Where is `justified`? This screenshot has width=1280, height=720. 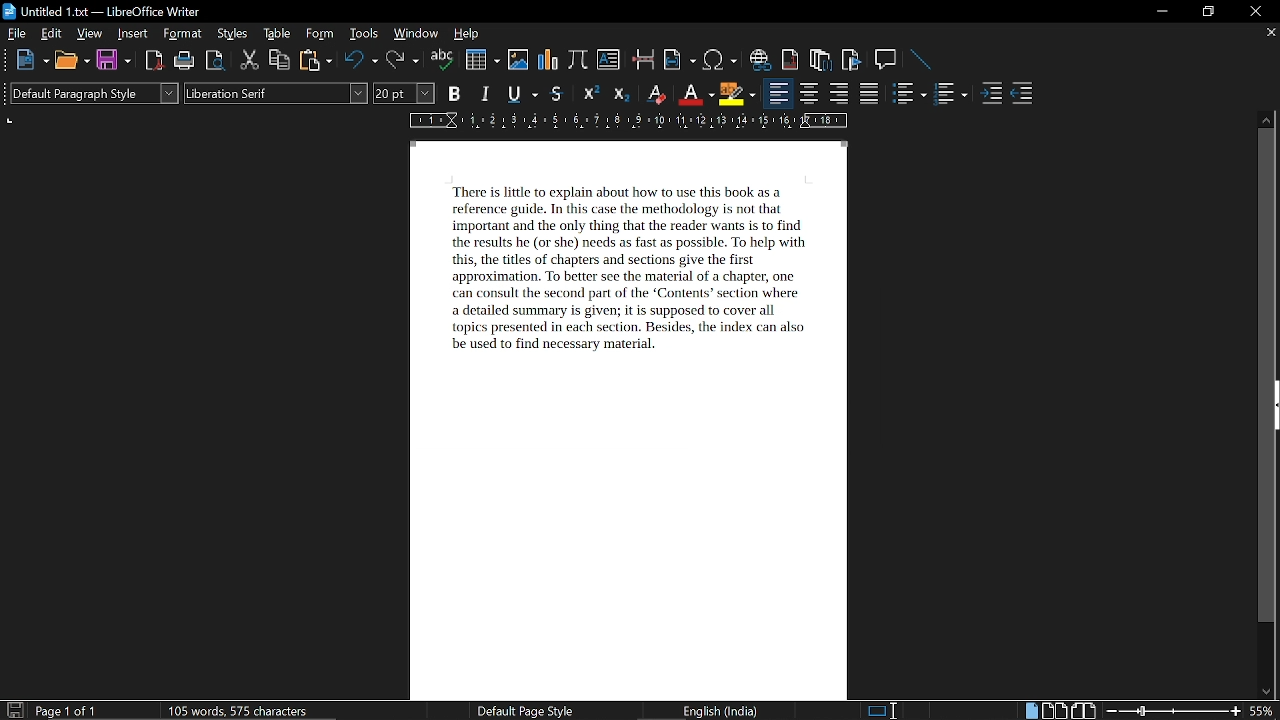
justified is located at coordinates (870, 93).